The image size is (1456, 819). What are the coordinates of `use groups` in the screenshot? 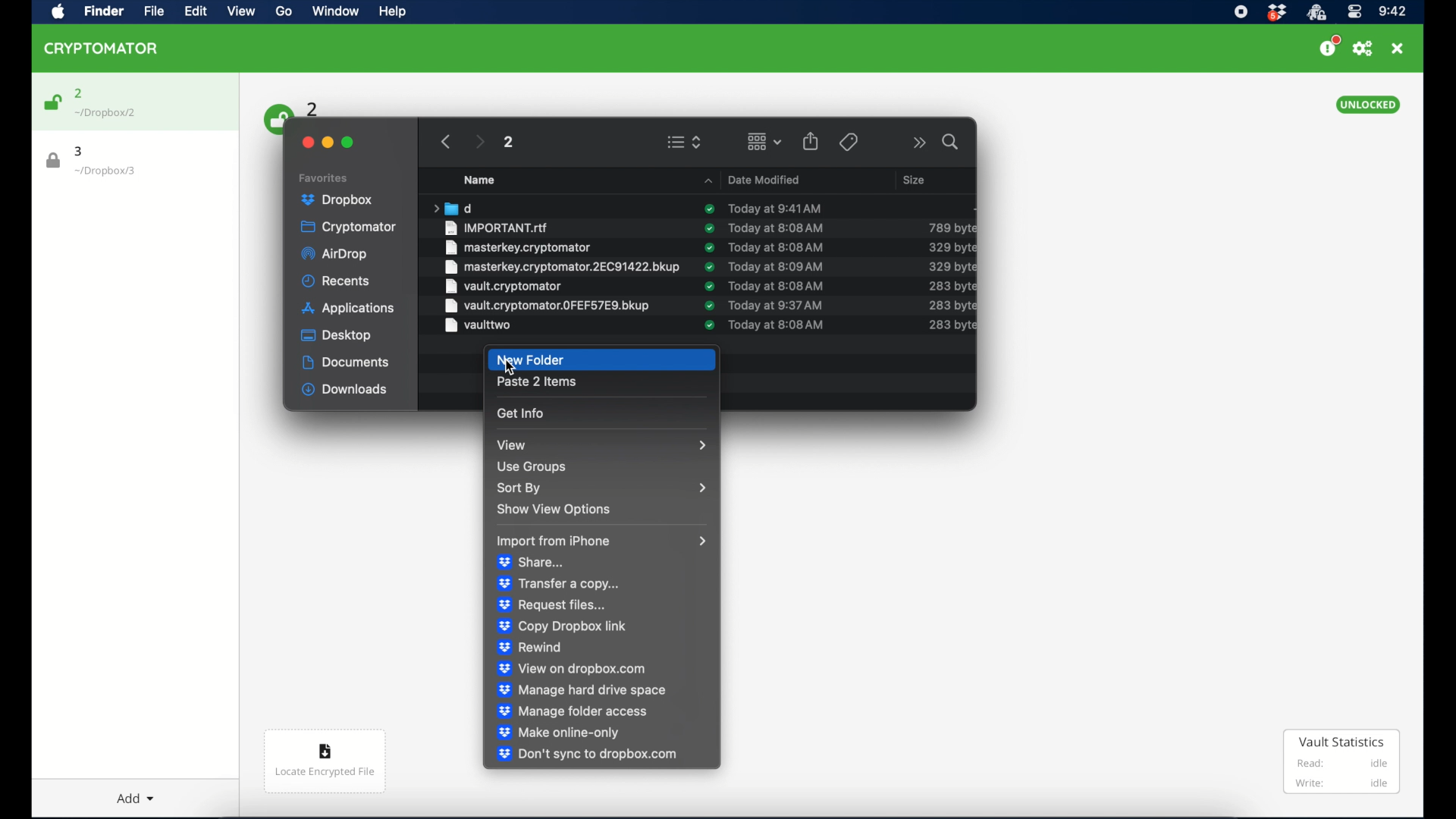 It's located at (532, 466).